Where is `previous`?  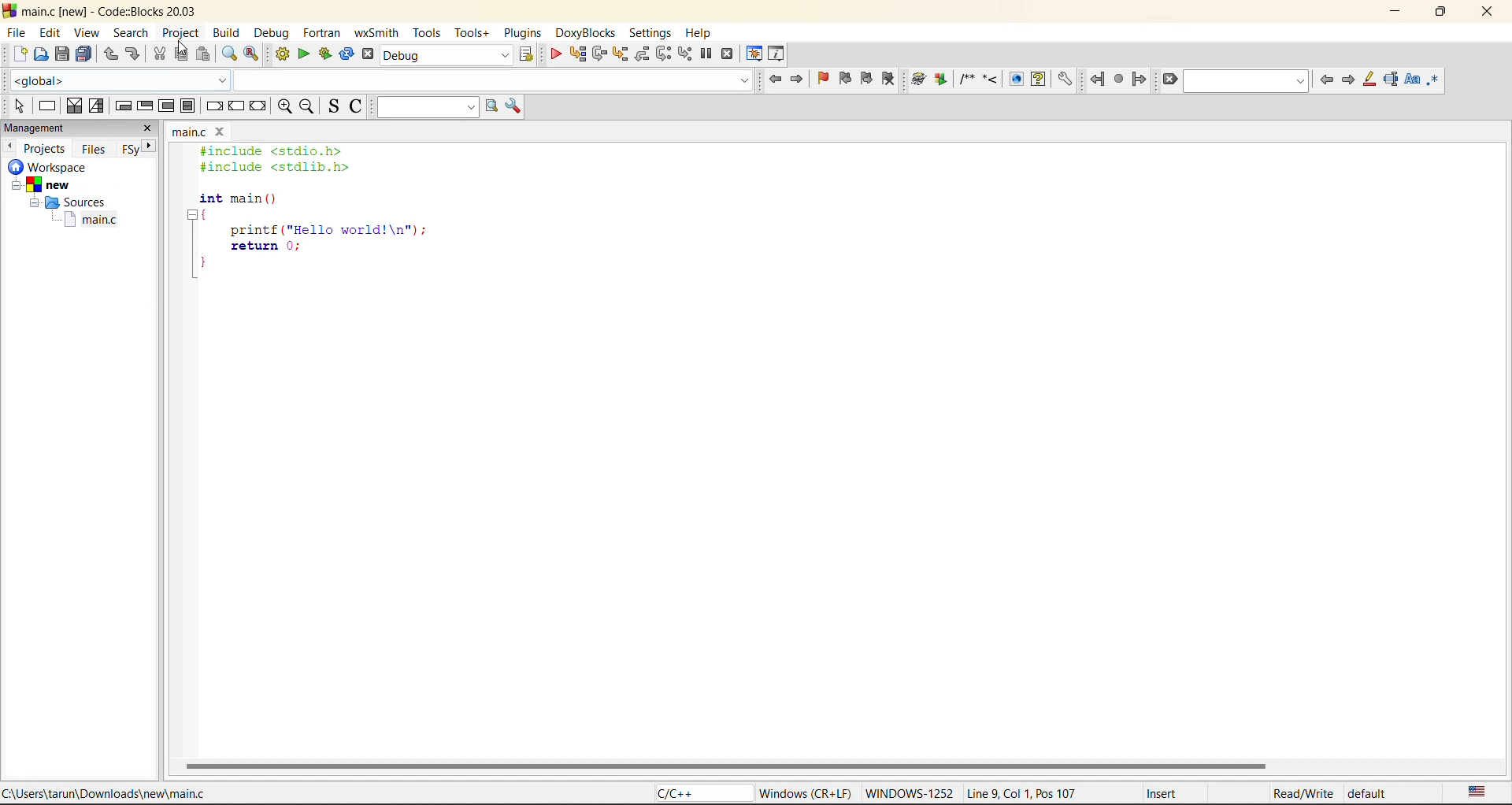 previous is located at coordinates (1327, 81).